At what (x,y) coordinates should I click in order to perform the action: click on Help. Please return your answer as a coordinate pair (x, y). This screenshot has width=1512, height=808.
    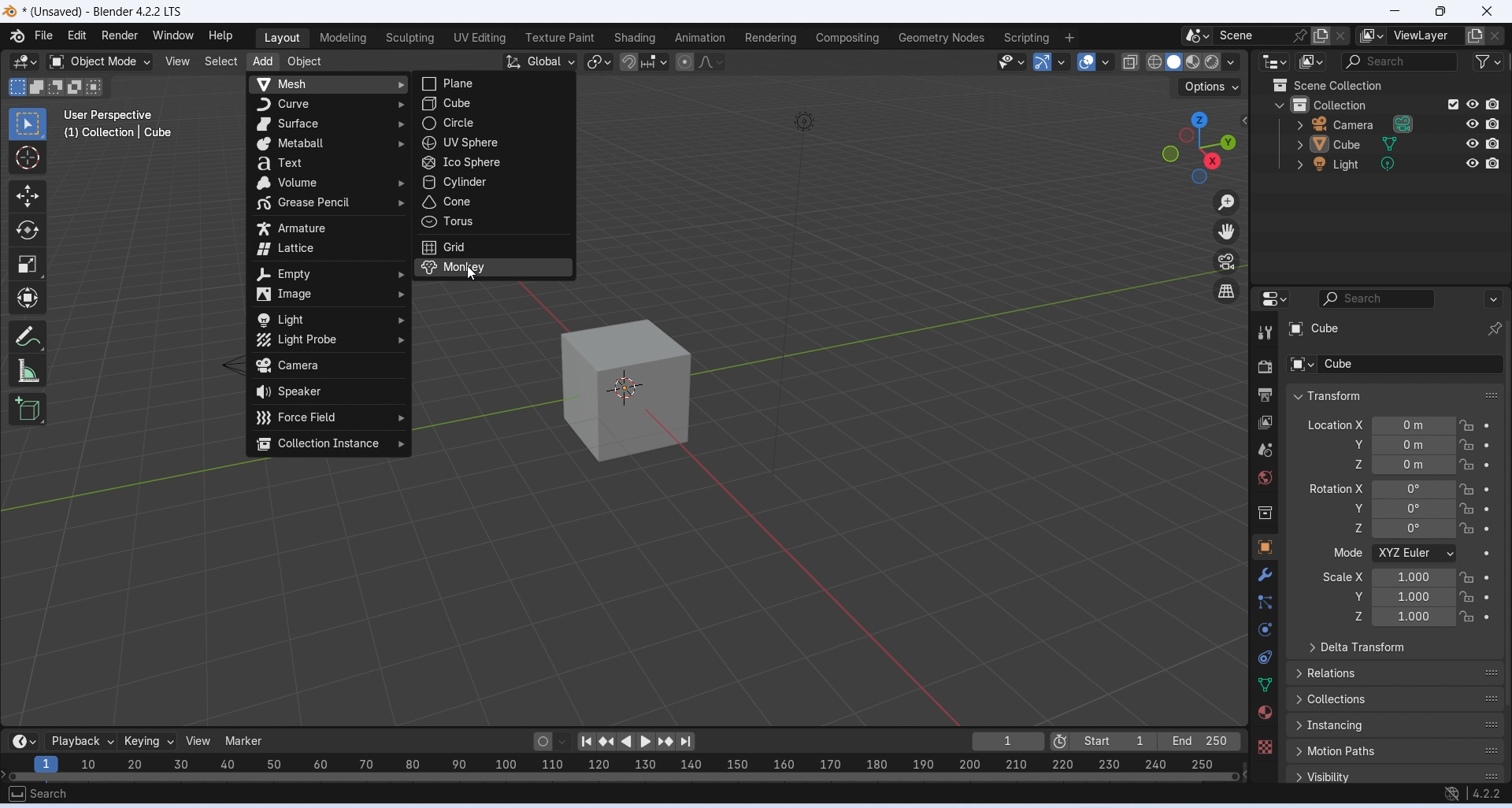
    Looking at the image, I should click on (220, 35).